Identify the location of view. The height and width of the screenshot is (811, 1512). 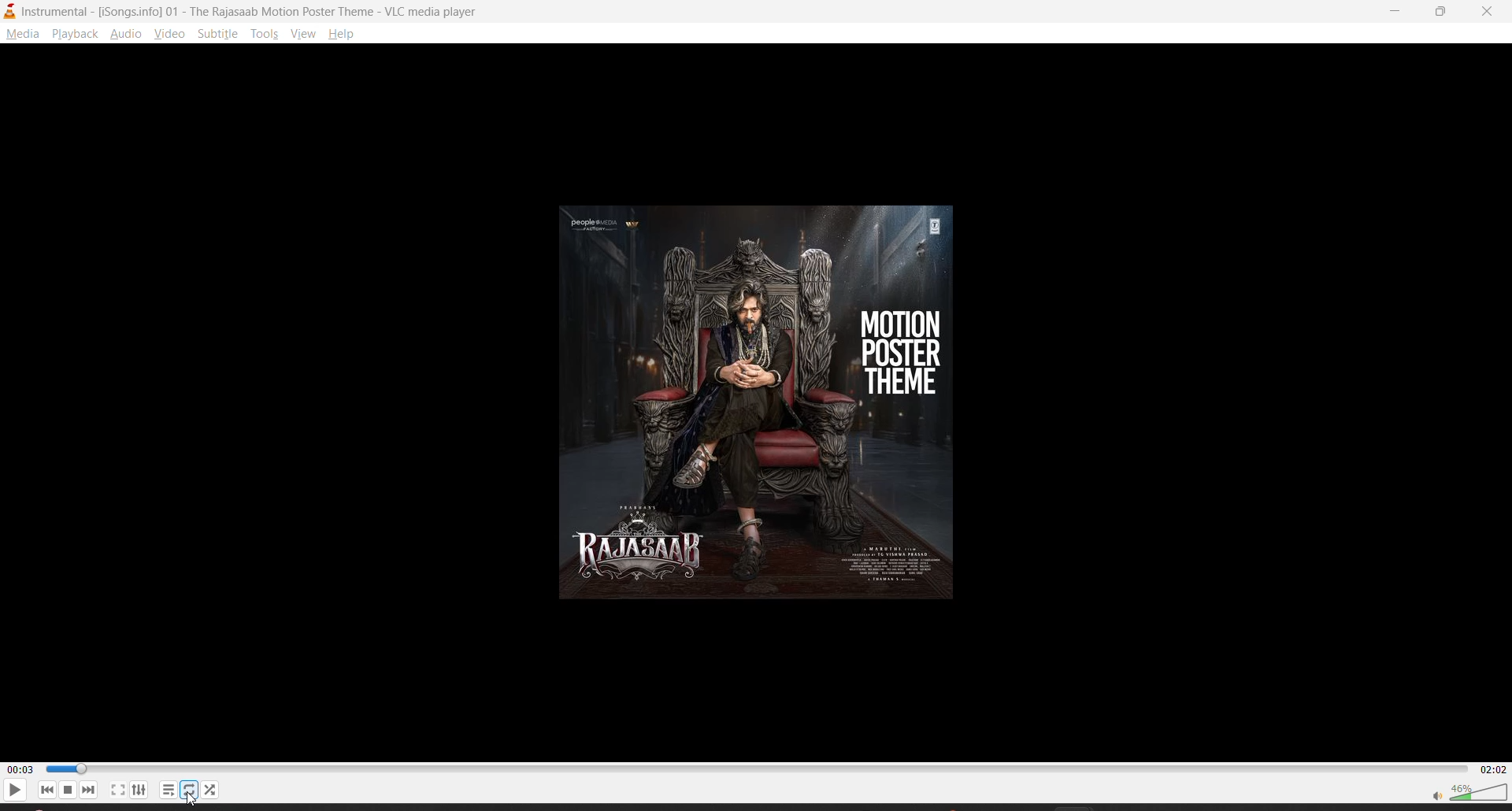
(302, 34).